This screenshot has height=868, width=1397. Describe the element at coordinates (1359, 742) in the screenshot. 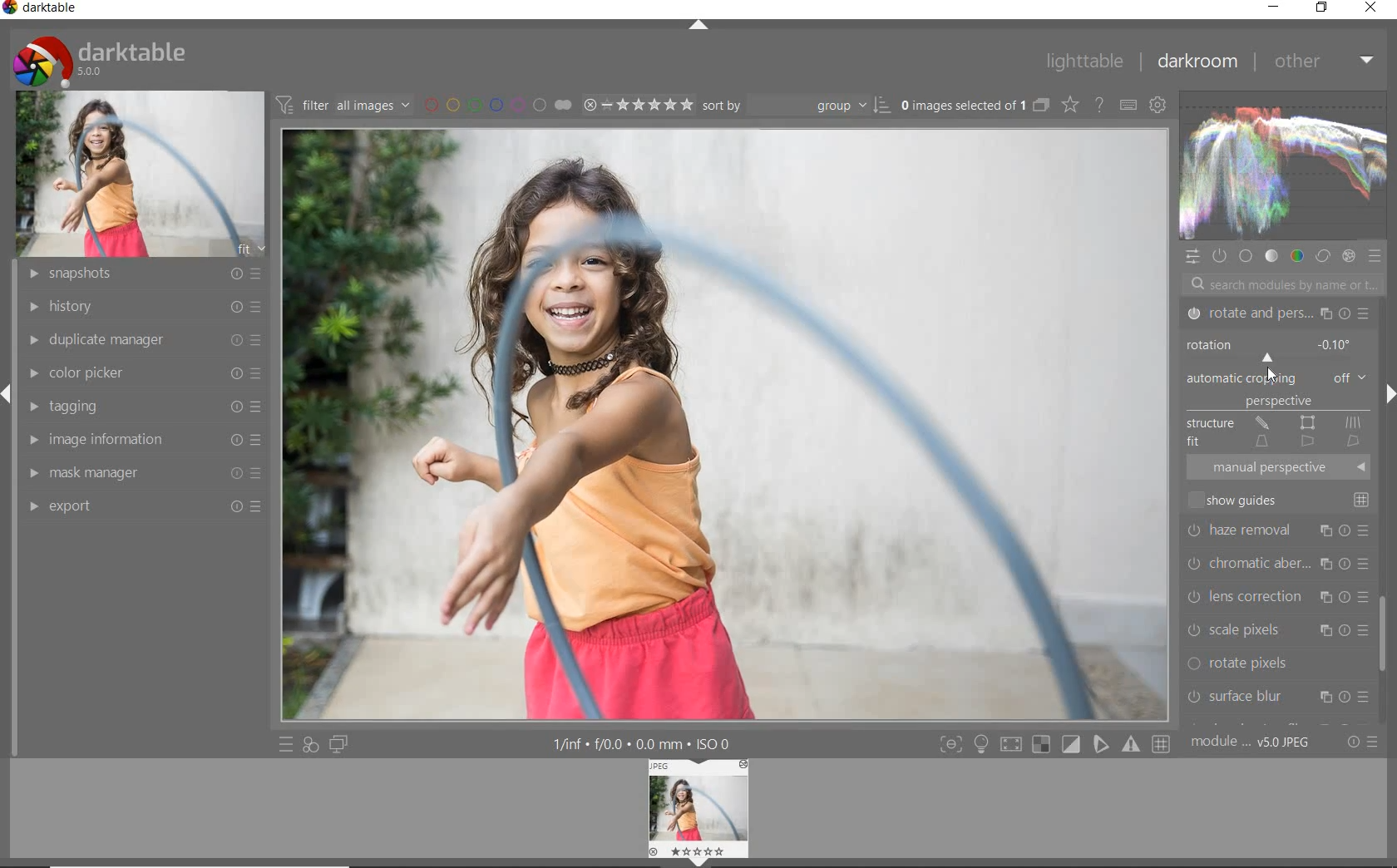

I see `reset or preset preference` at that location.